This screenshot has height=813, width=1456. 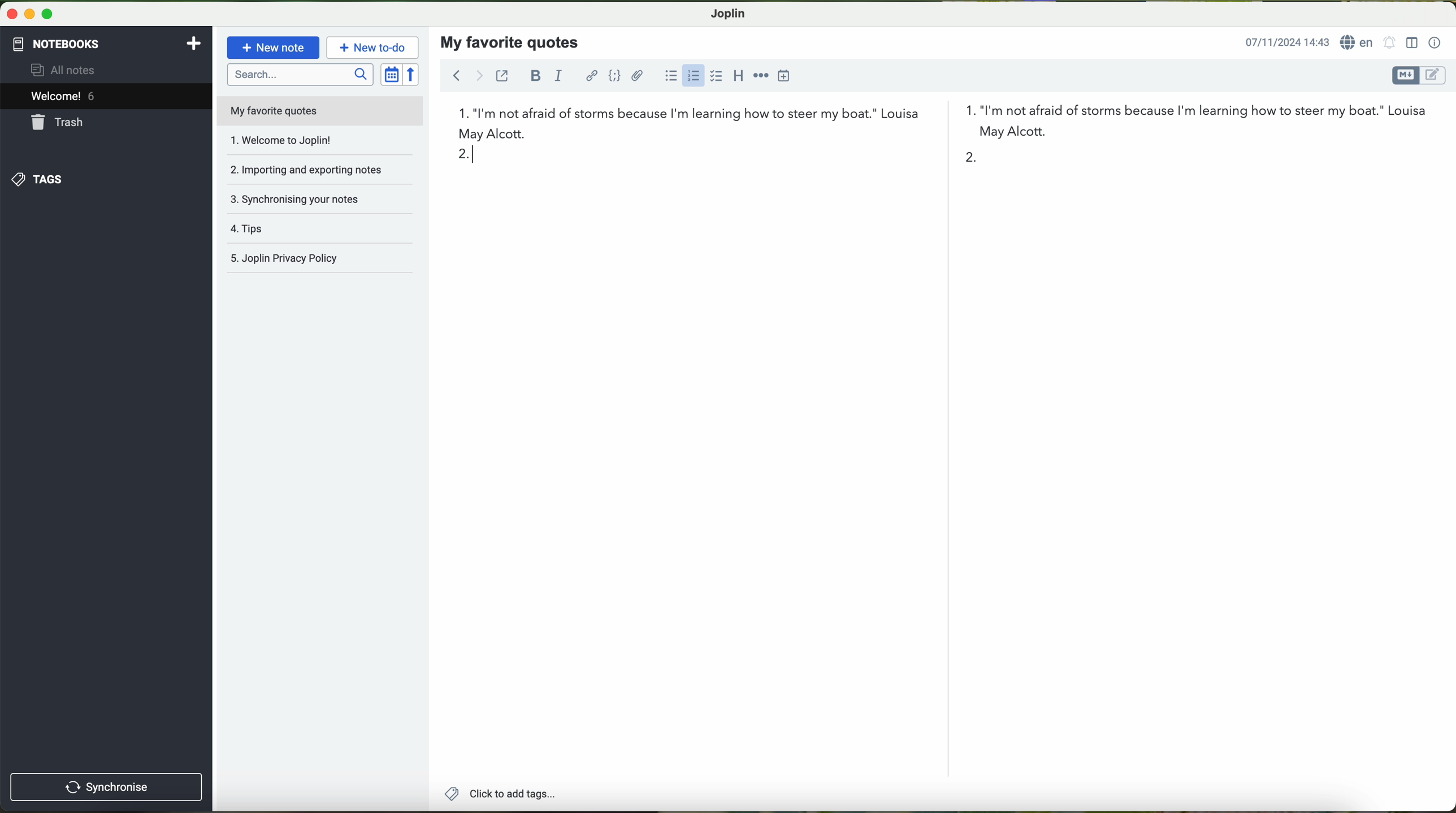 What do you see at coordinates (561, 76) in the screenshot?
I see `italic` at bounding box center [561, 76].